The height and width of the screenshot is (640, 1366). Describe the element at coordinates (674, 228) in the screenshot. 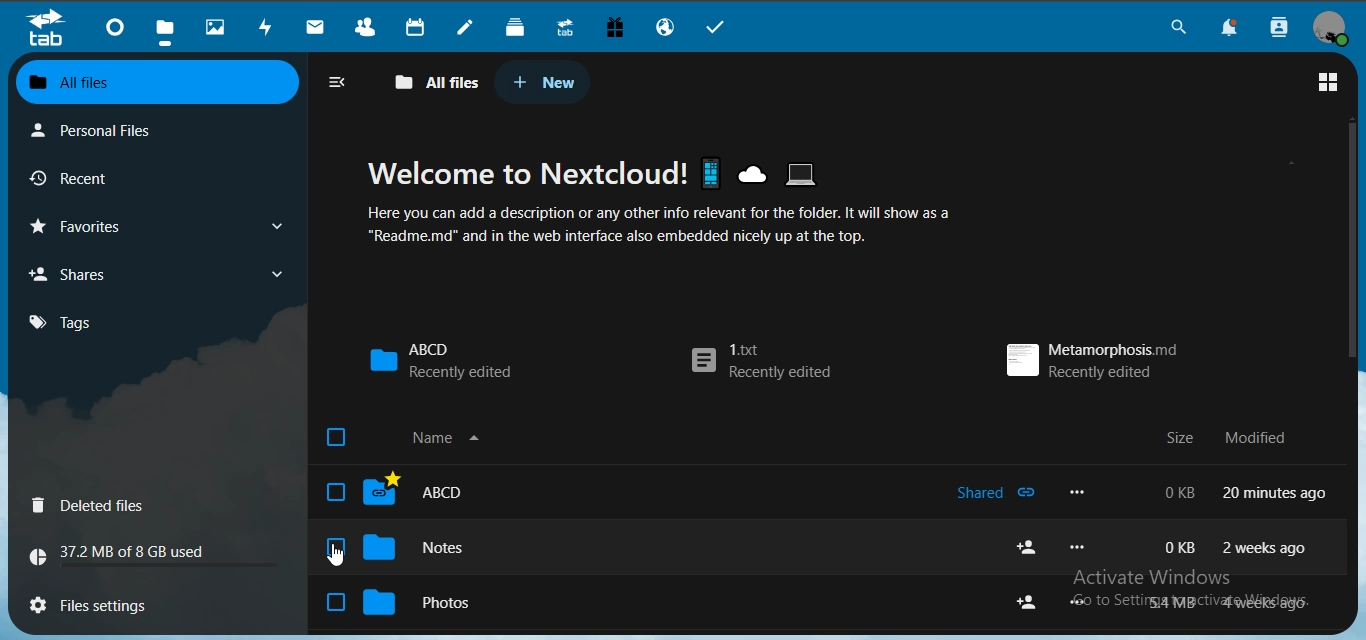

I see `Here you can add a description or any other info relevant for the folder. It will show as a
“Readme.md" and in the web interface also embedded nicely up at the top.` at that location.